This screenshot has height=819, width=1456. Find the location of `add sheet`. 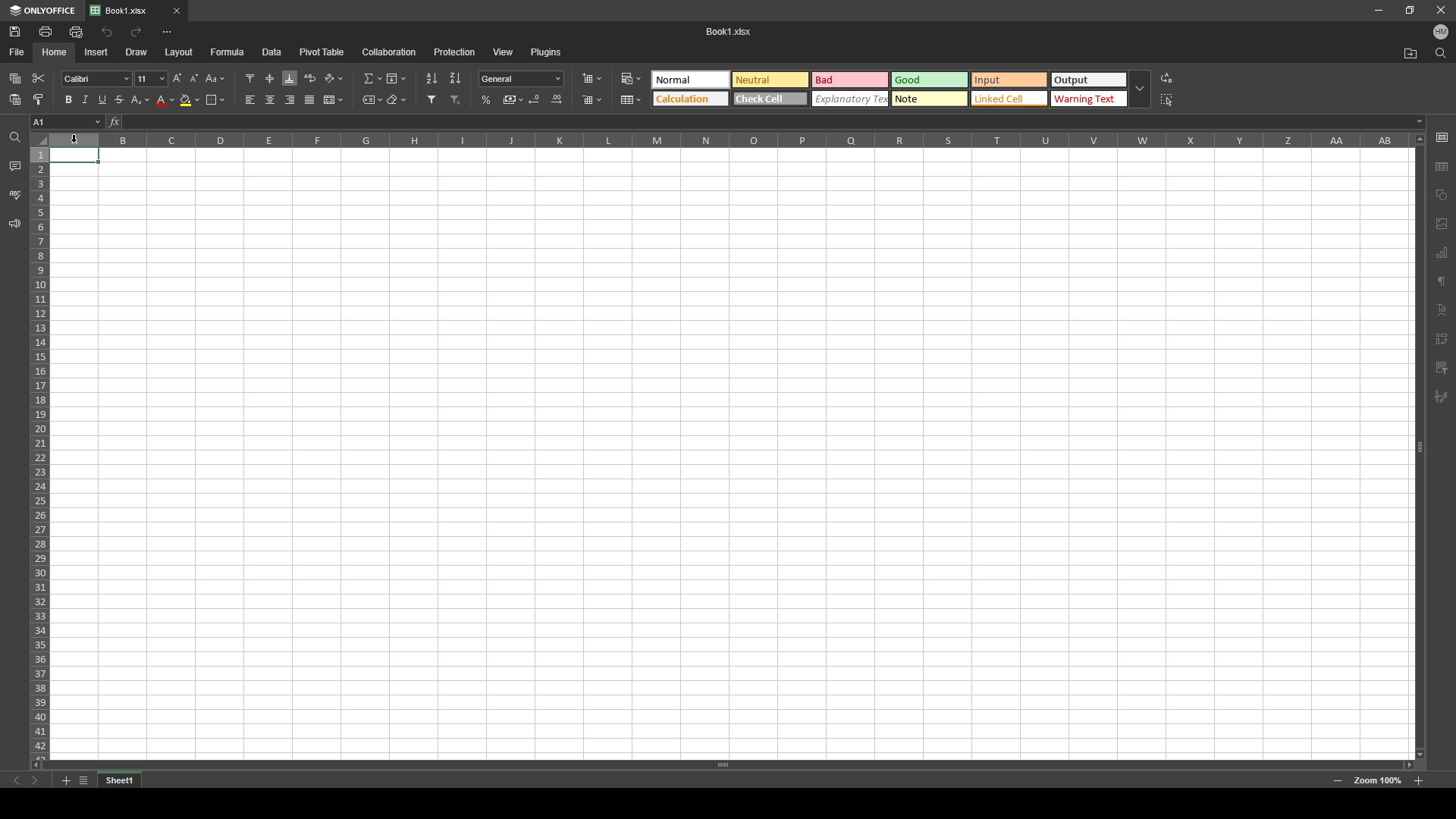

add sheet is located at coordinates (65, 781).